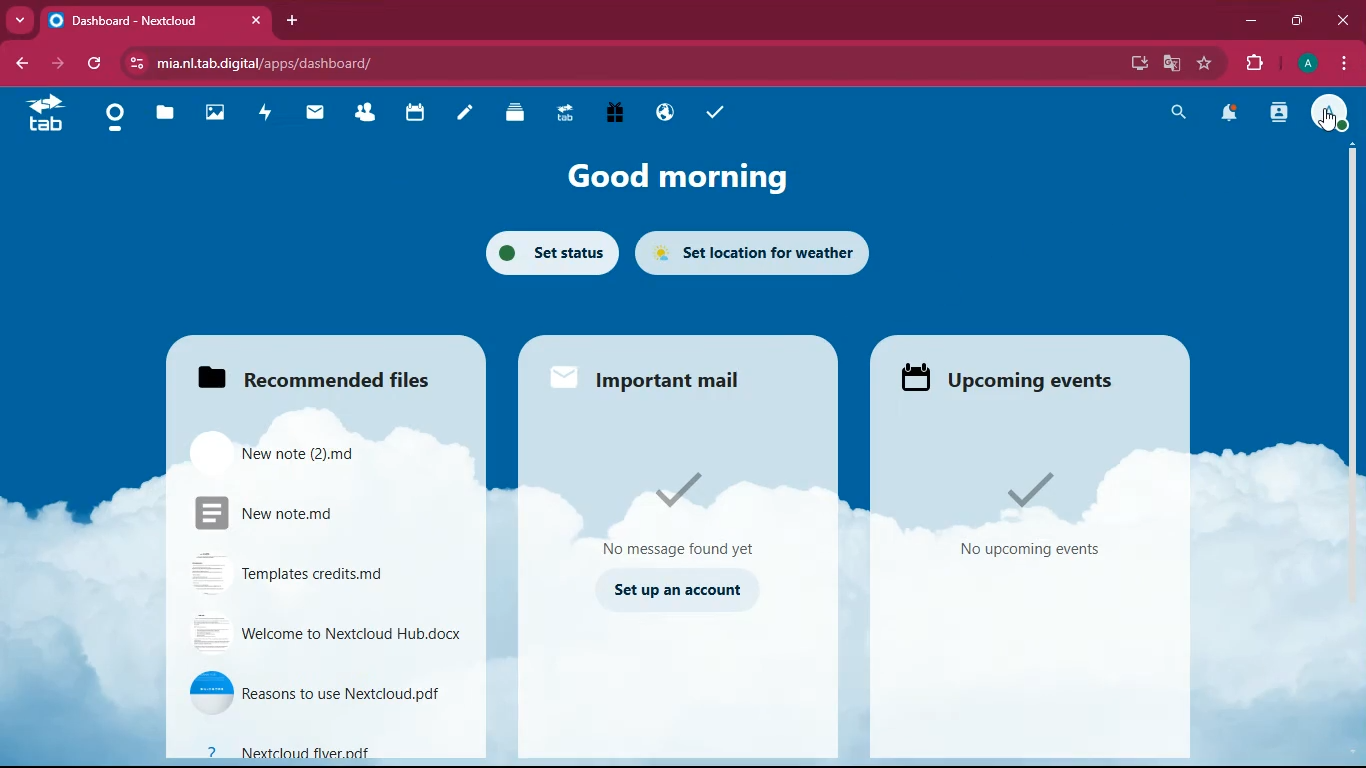  What do you see at coordinates (668, 114) in the screenshot?
I see `public` at bounding box center [668, 114].